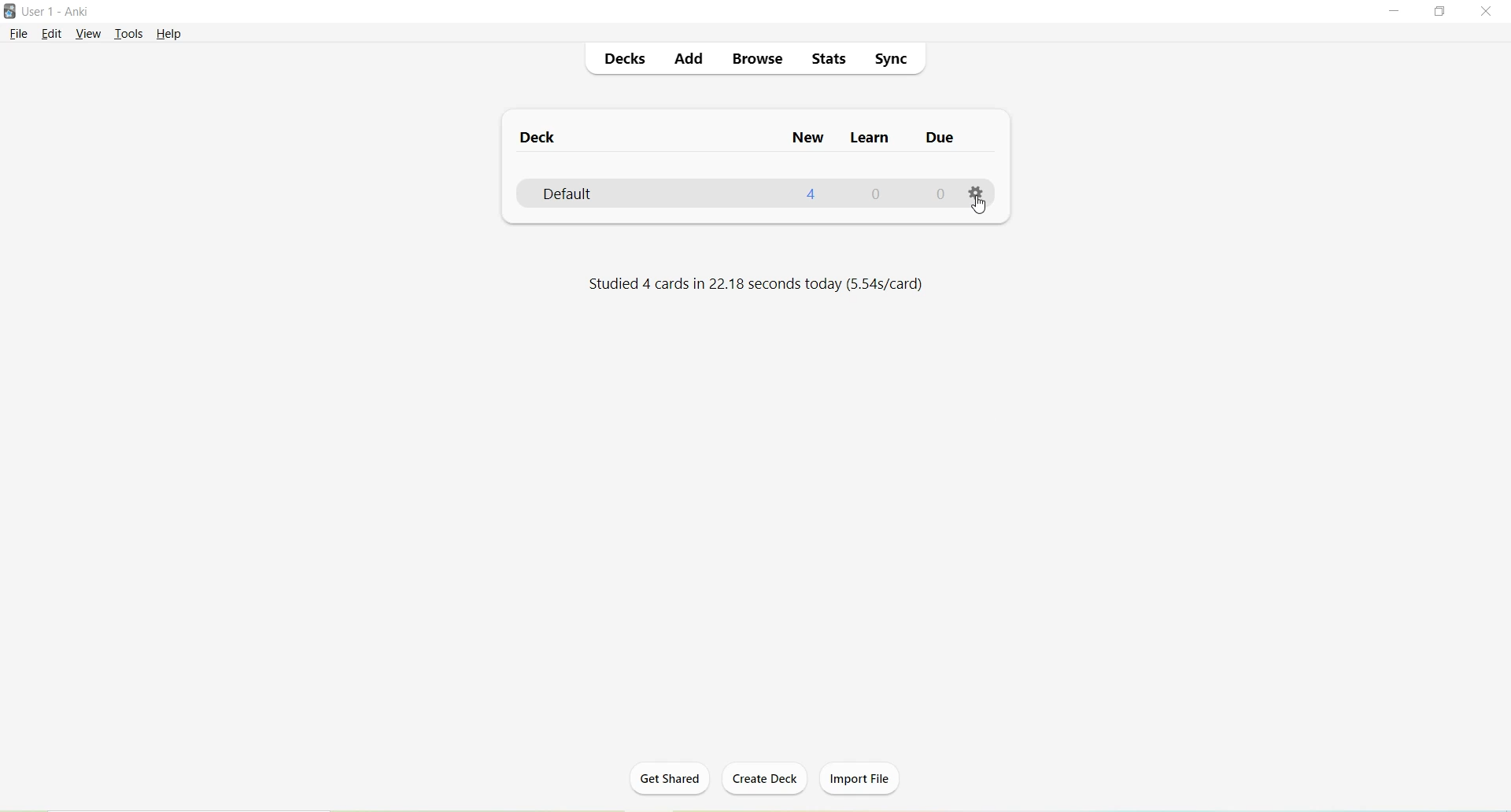  I want to click on Browse, so click(759, 61).